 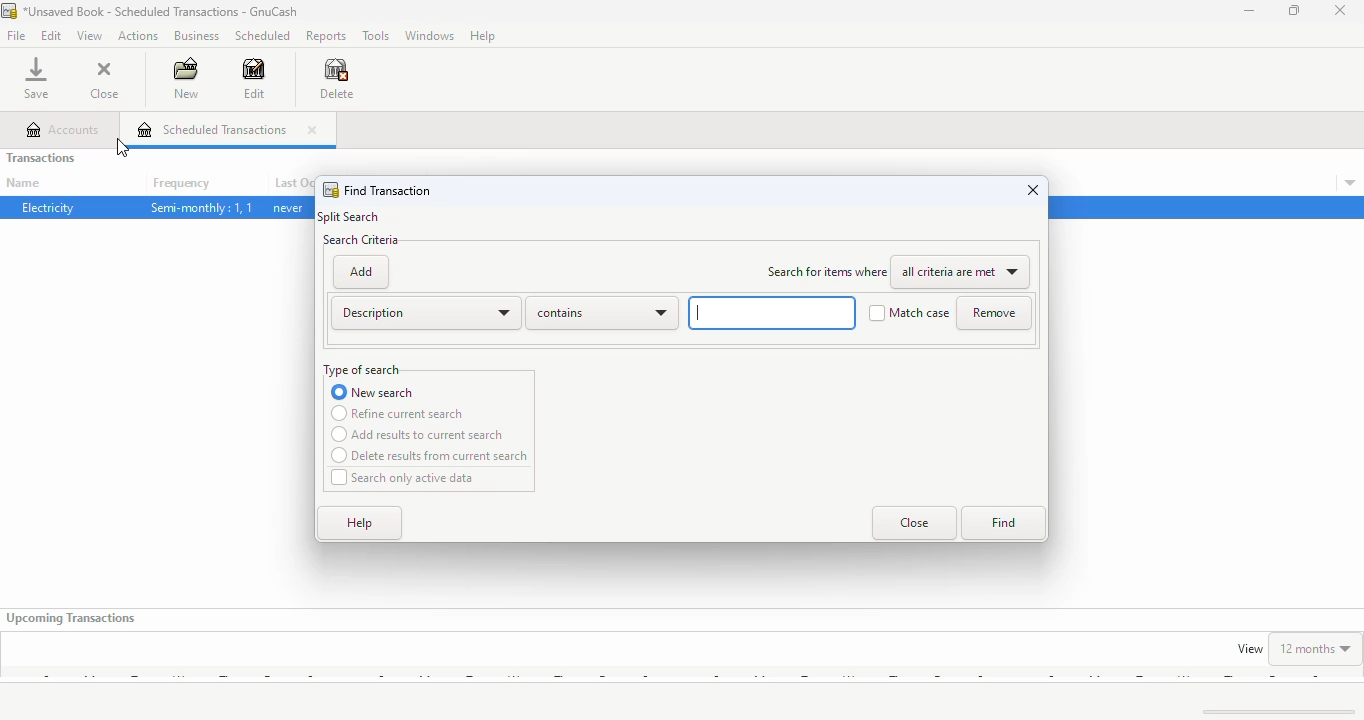 I want to click on business, so click(x=198, y=35).